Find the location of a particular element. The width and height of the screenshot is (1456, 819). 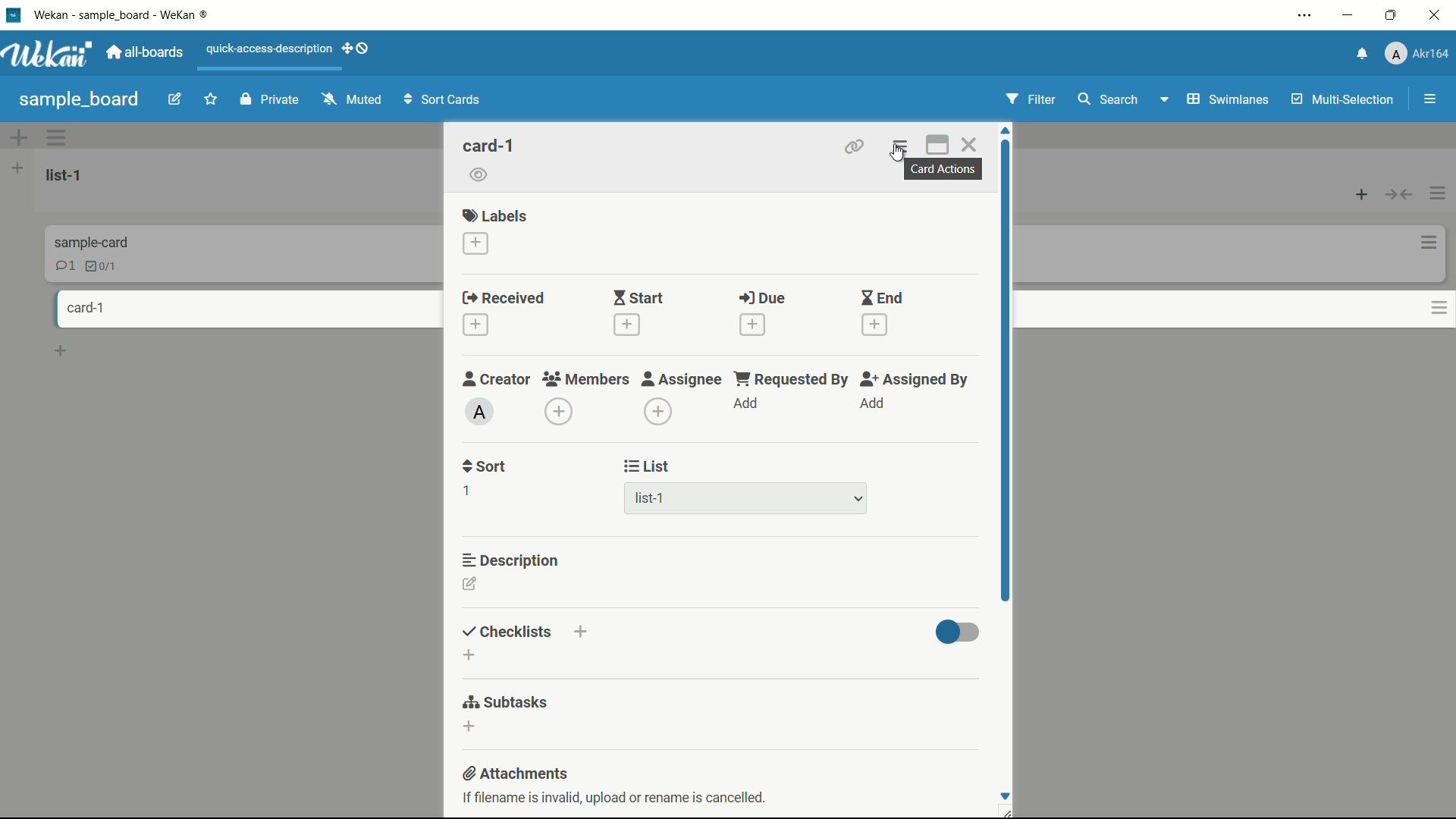

notifications is located at coordinates (1363, 53).